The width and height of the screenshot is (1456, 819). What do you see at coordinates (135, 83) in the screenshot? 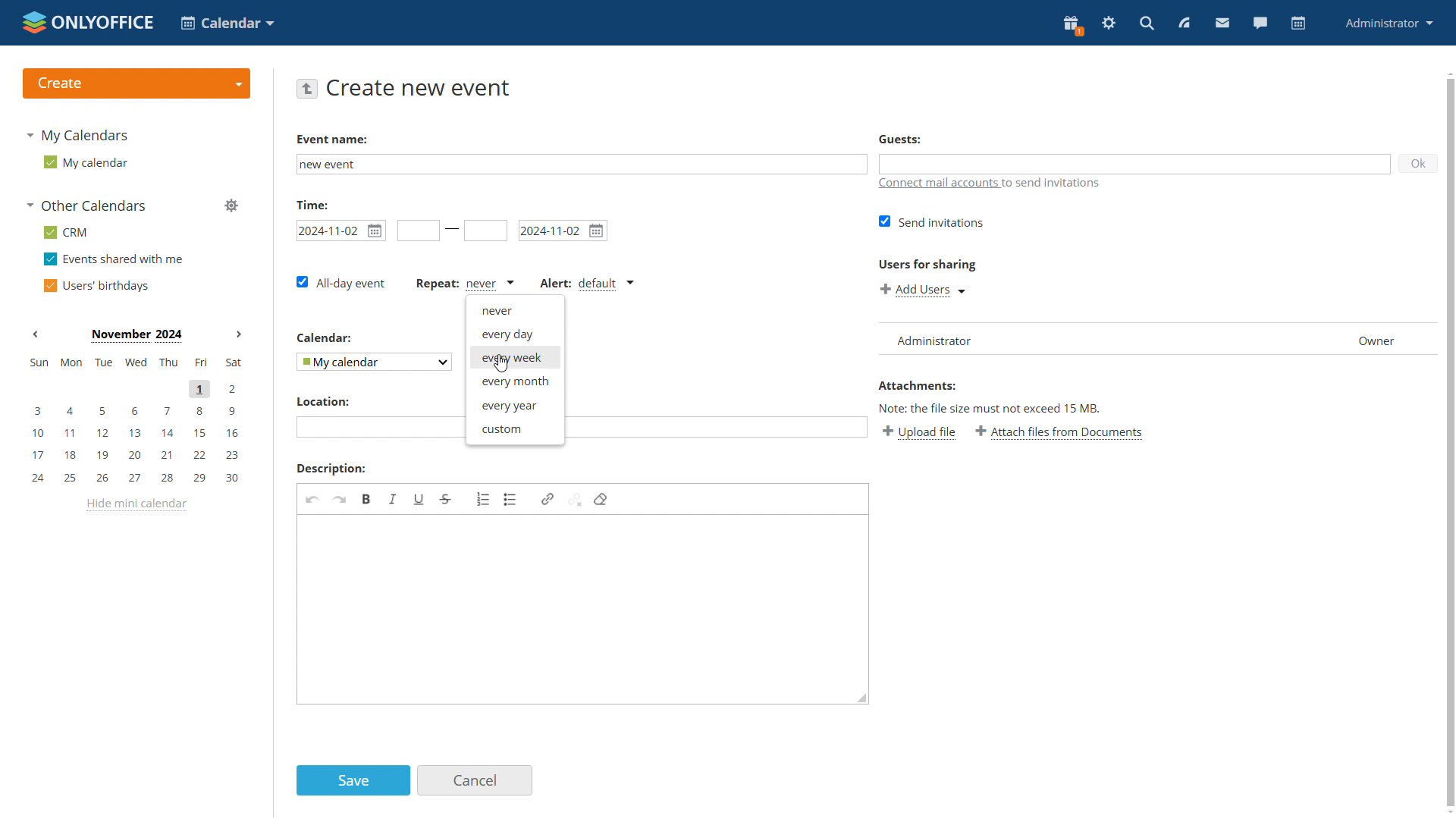
I see `create` at bounding box center [135, 83].